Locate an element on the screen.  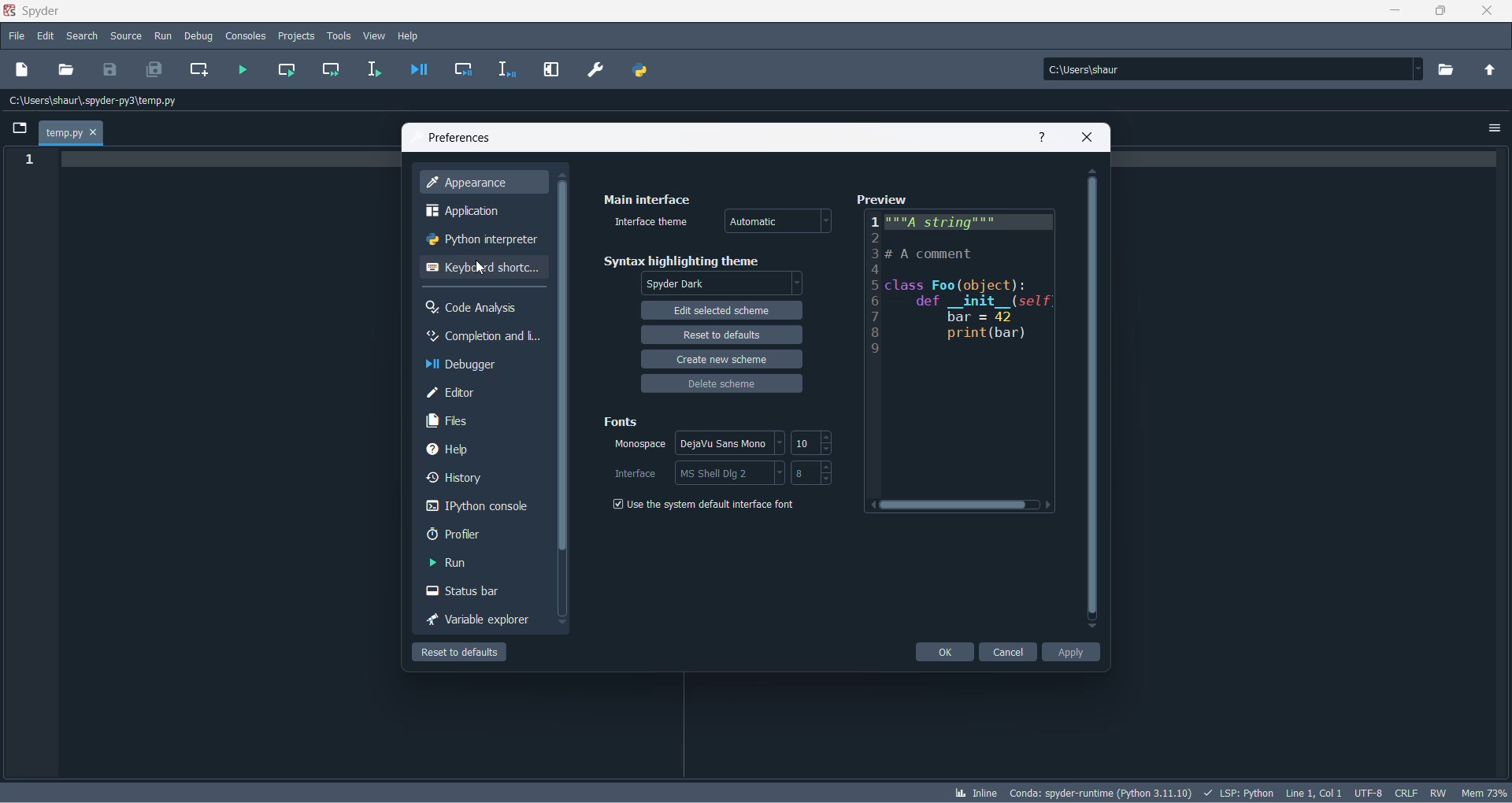
consoles is located at coordinates (246, 35).